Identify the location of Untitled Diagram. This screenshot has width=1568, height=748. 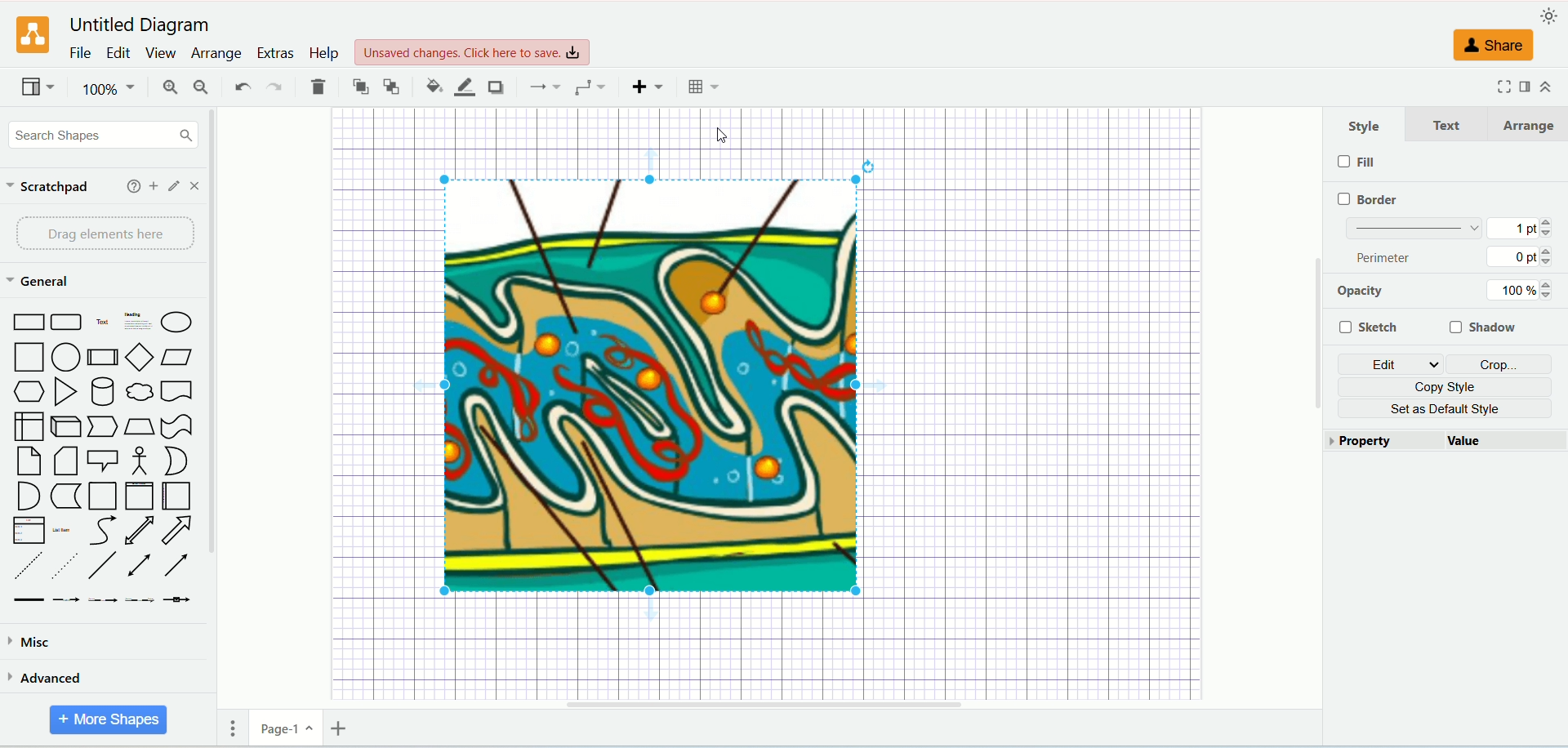
(139, 26).